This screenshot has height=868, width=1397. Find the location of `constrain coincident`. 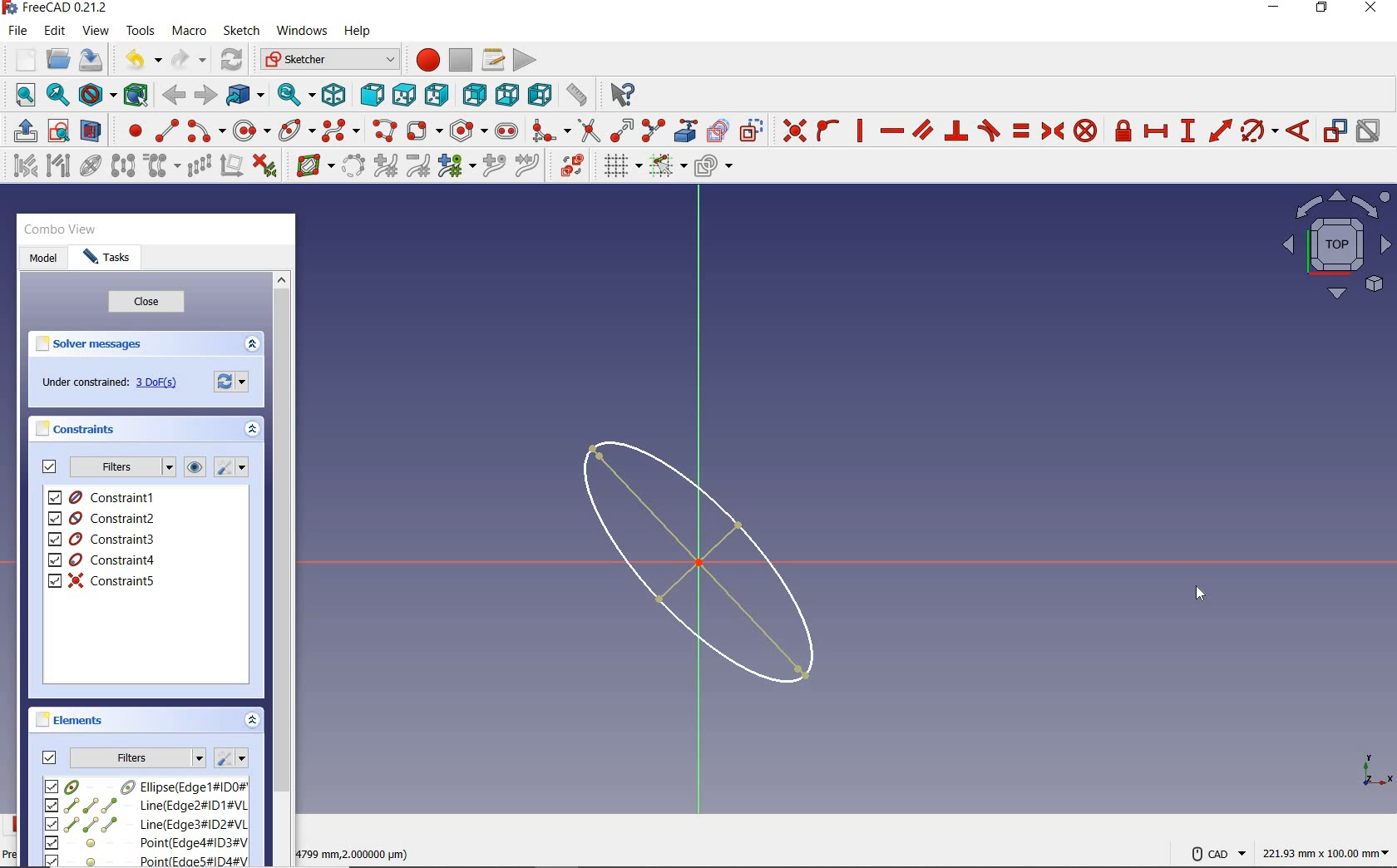

constrain coincident is located at coordinates (790, 131).